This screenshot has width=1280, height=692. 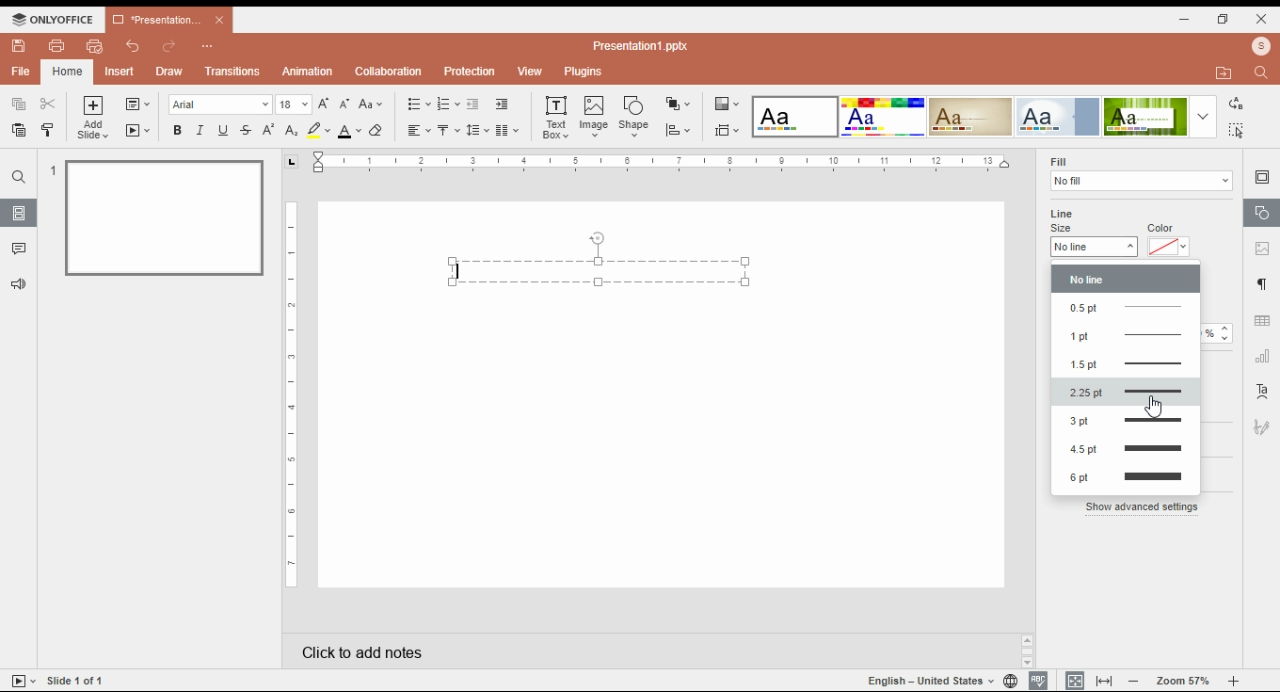 I want to click on insert shape, so click(x=633, y=115).